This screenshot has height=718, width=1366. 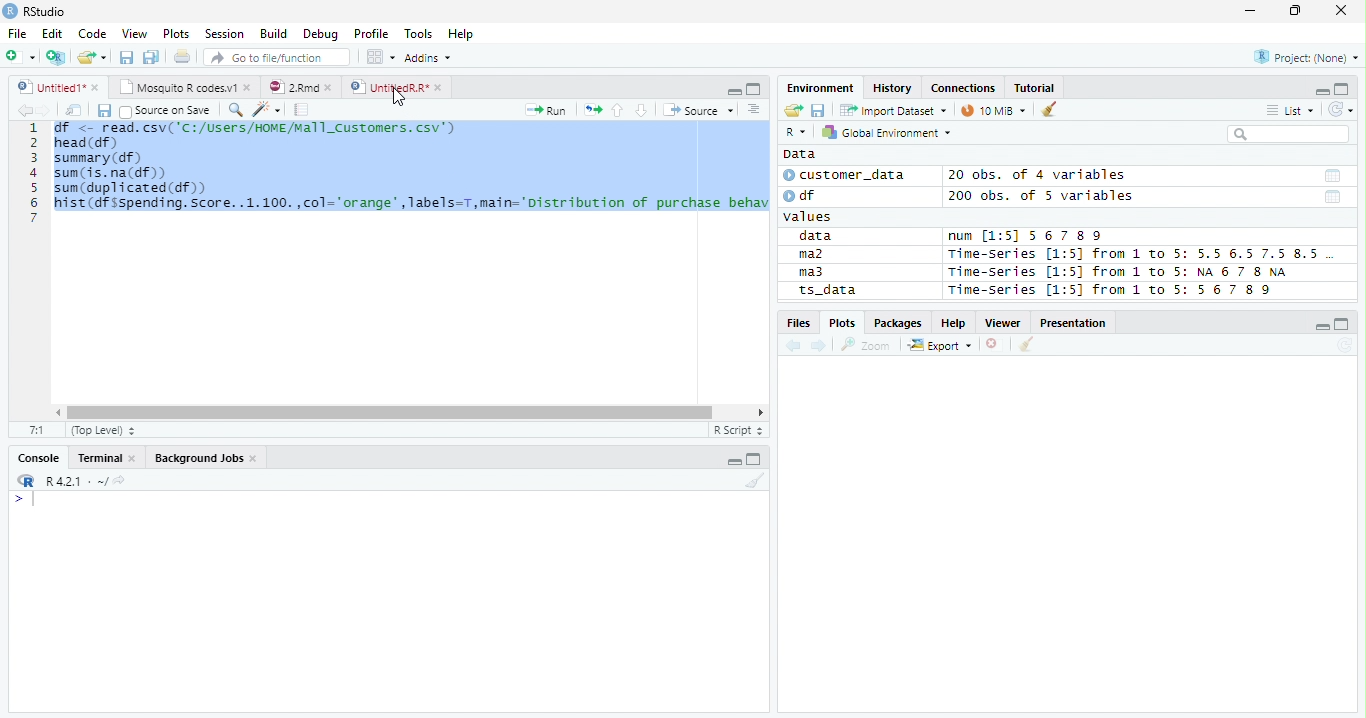 I want to click on File, so click(x=16, y=33).